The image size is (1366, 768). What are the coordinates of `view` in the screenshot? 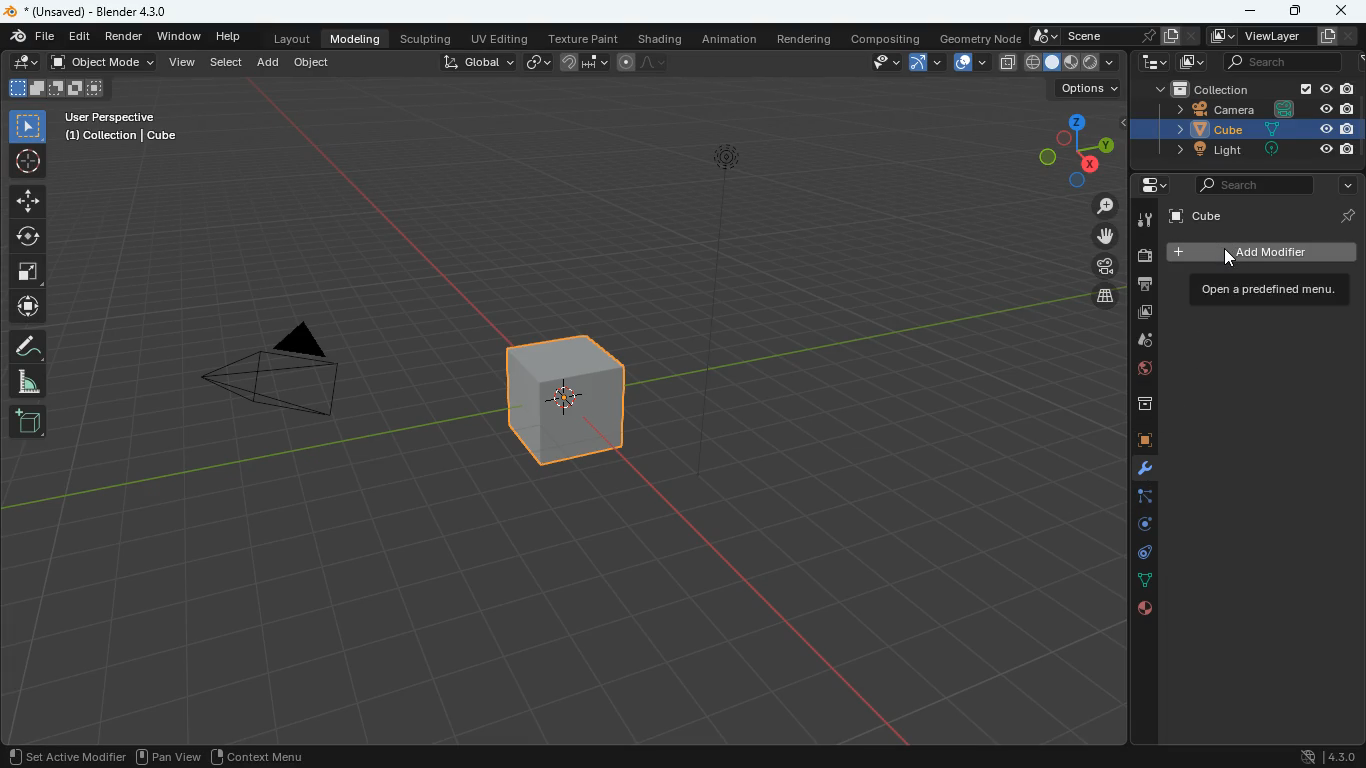 It's located at (184, 63).